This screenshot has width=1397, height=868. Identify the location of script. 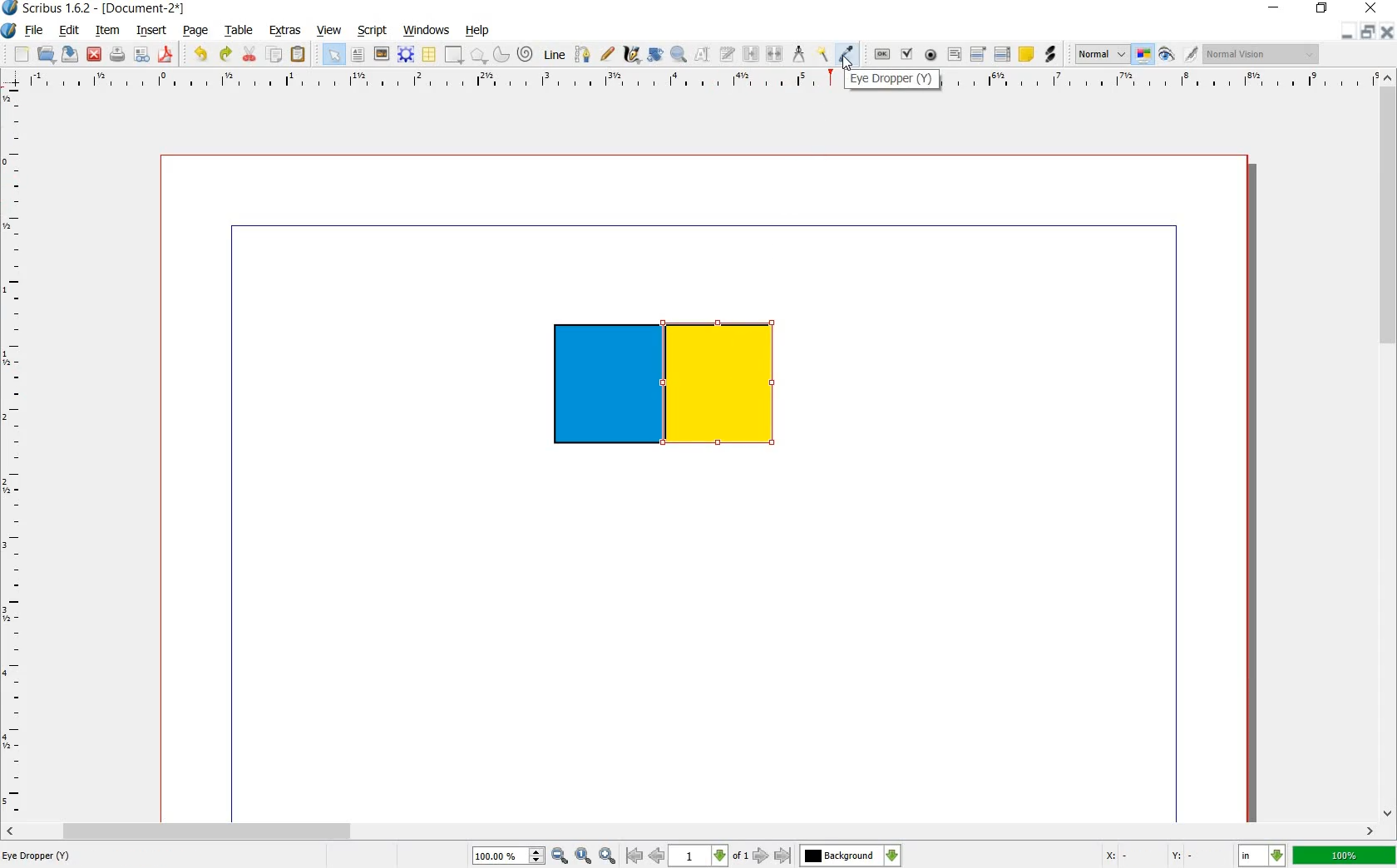
(373, 31).